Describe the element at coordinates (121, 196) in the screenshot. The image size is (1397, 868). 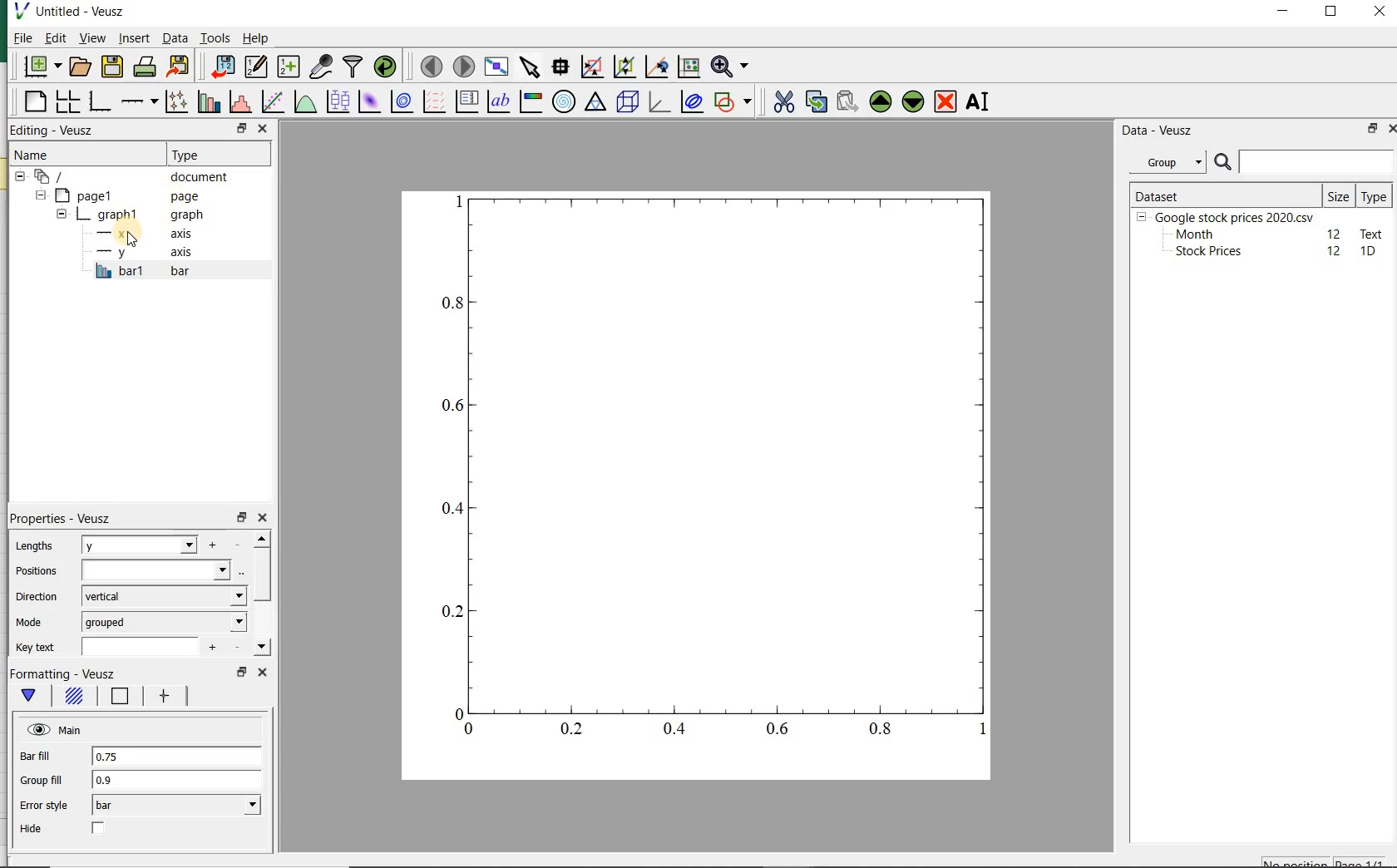
I see `page1` at that location.